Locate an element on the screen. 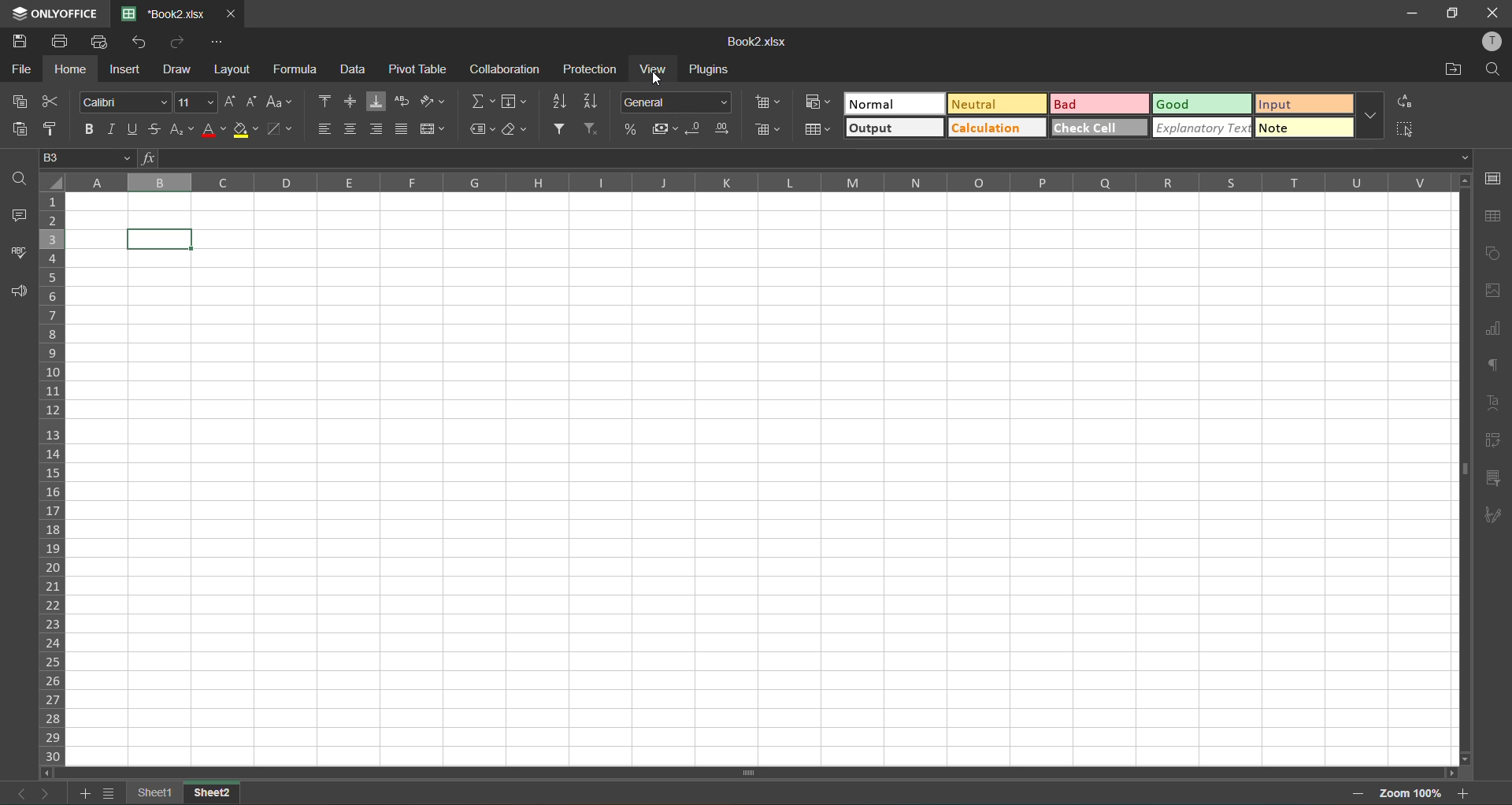  wrap text is located at coordinates (404, 102).